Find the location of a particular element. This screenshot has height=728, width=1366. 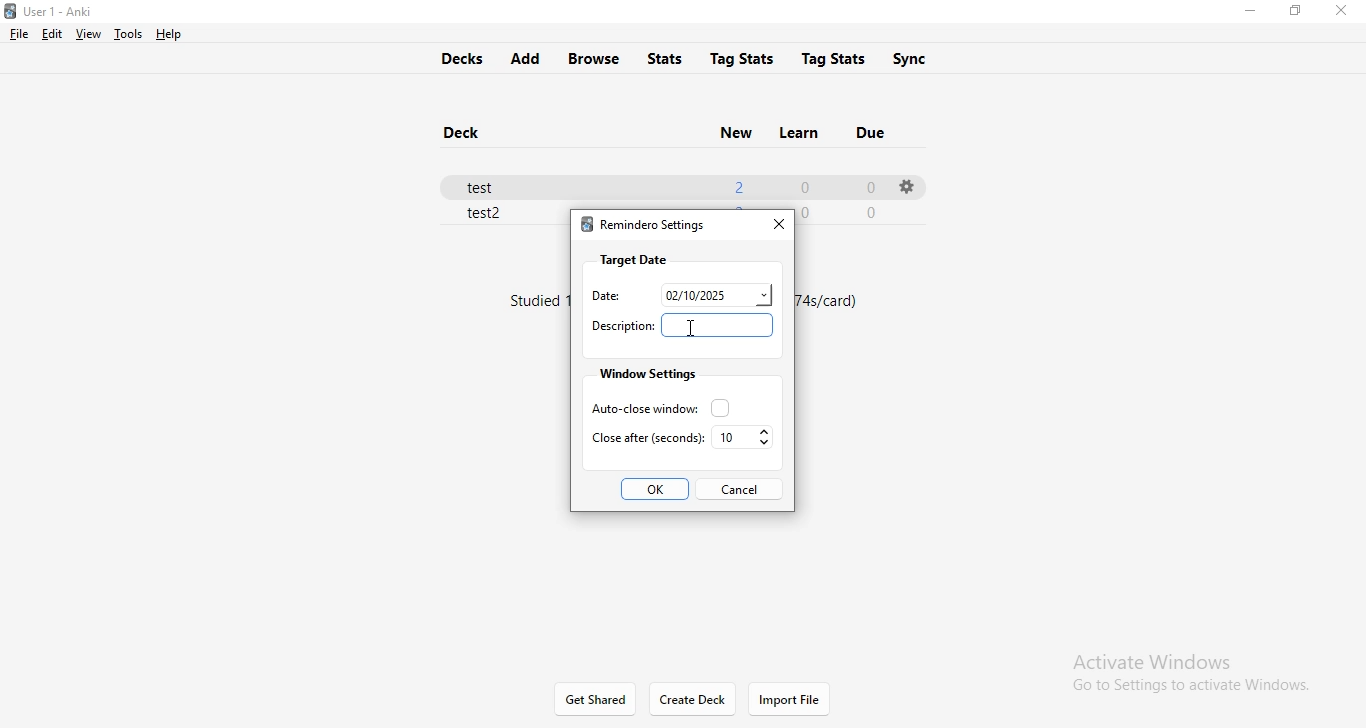

descriptiuon is located at coordinates (621, 326).